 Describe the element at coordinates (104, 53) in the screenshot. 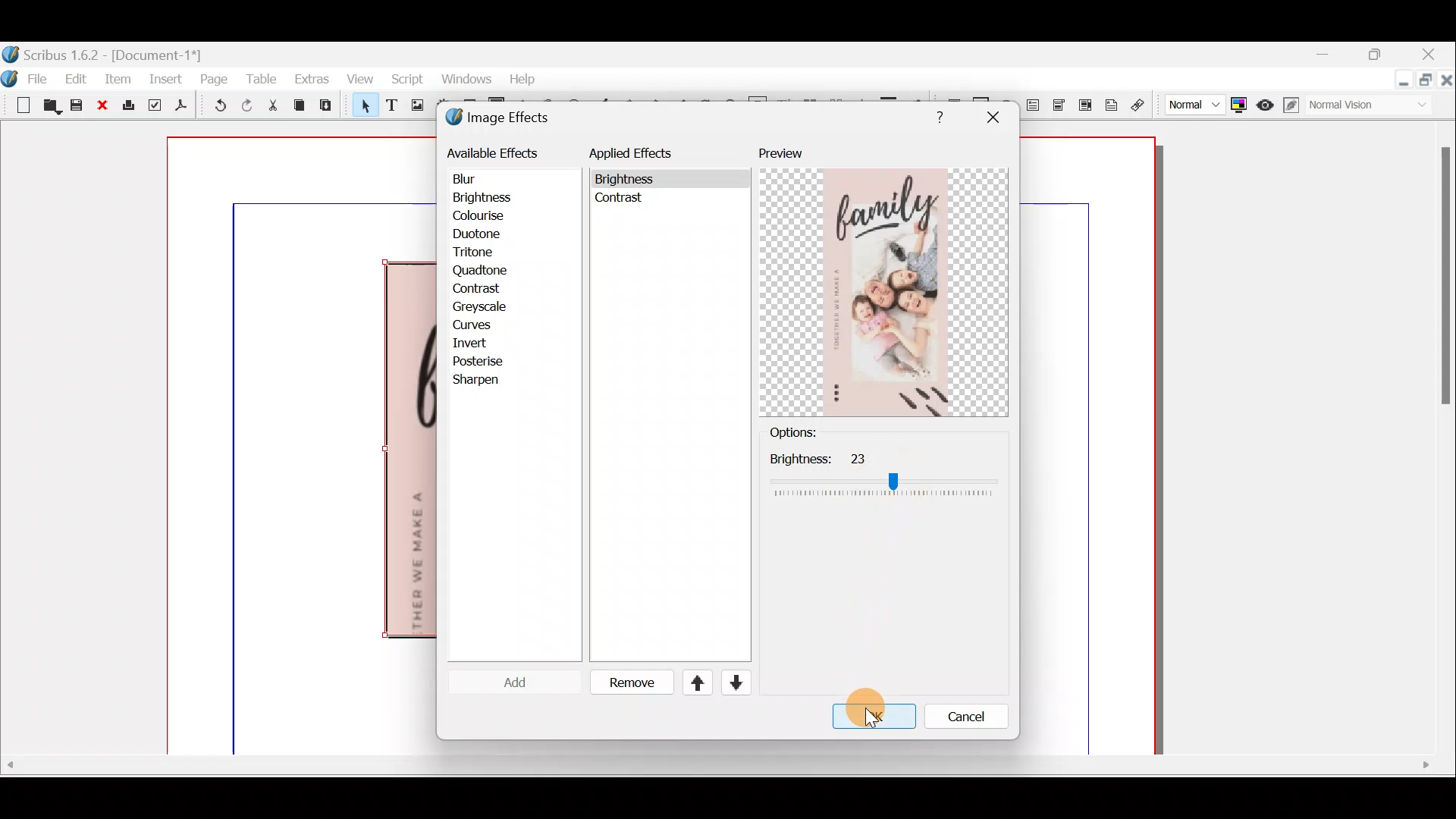

I see `Document name` at that location.